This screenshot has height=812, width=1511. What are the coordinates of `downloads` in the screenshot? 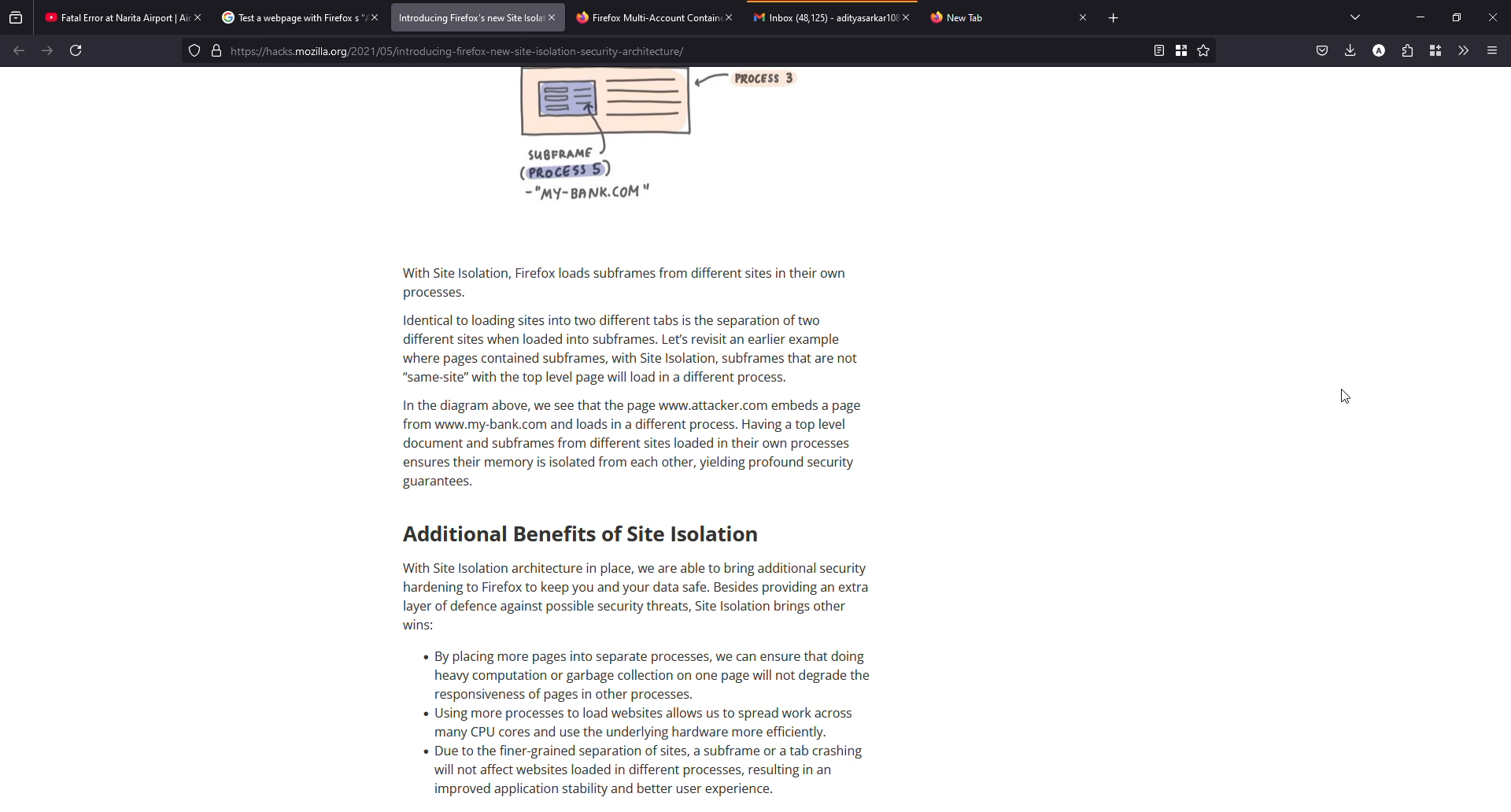 It's located at (1349, 49).